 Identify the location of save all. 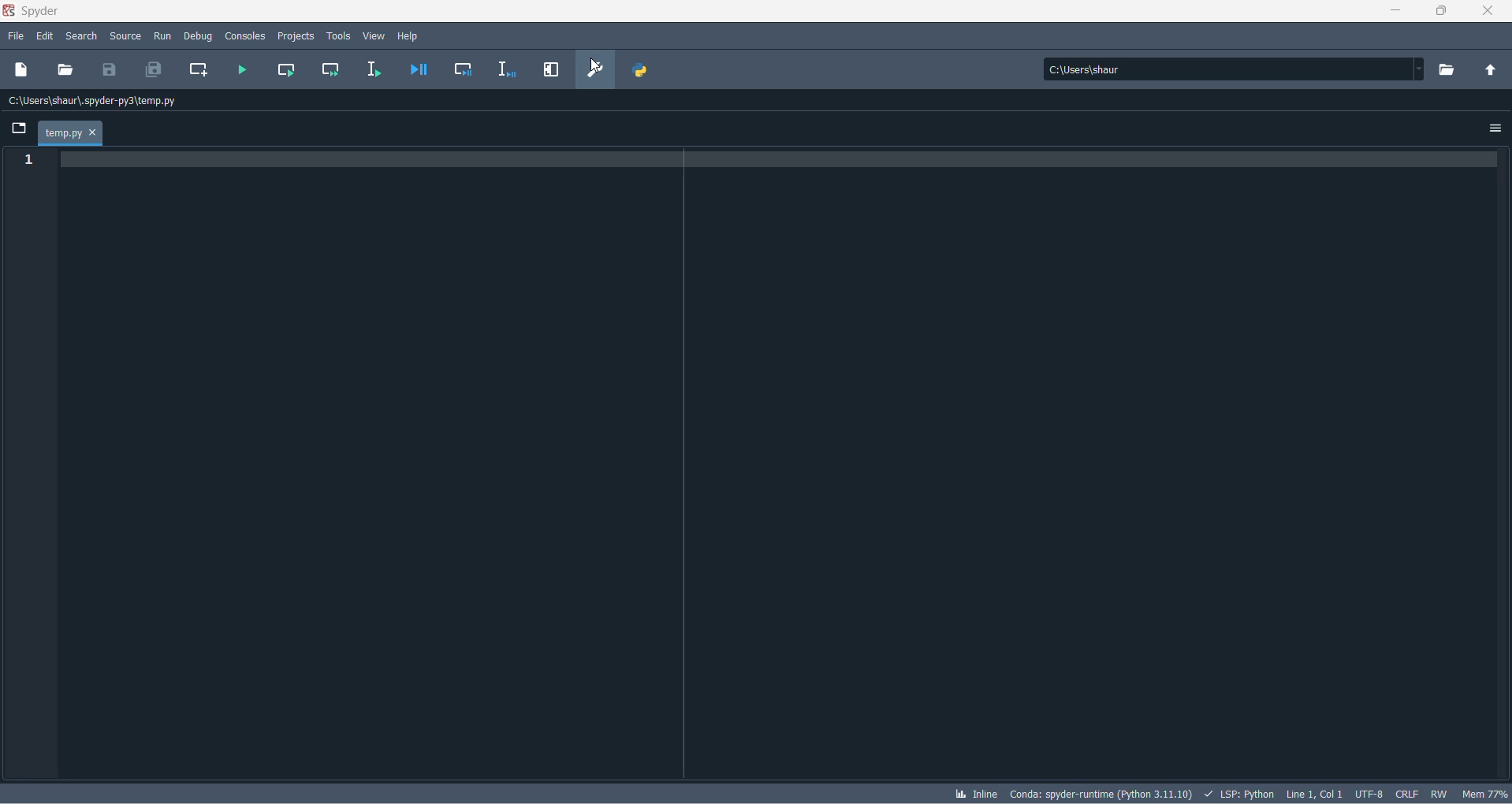
(151, 71).